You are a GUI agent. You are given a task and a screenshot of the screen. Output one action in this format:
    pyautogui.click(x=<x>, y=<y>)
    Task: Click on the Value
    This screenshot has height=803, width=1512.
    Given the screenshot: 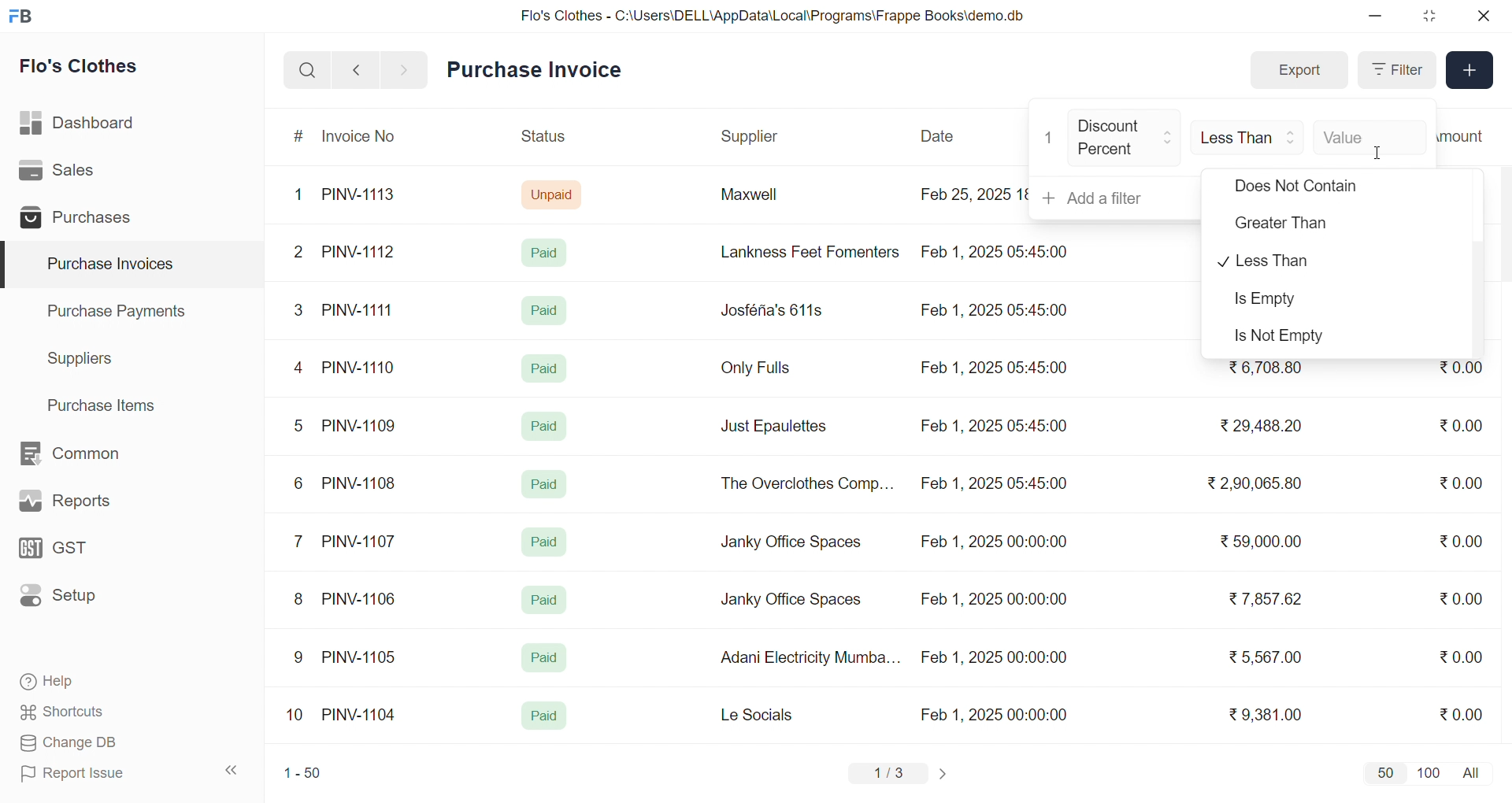 What is the action you would take?
    pyautogui.click(x=1369, y=135)
    